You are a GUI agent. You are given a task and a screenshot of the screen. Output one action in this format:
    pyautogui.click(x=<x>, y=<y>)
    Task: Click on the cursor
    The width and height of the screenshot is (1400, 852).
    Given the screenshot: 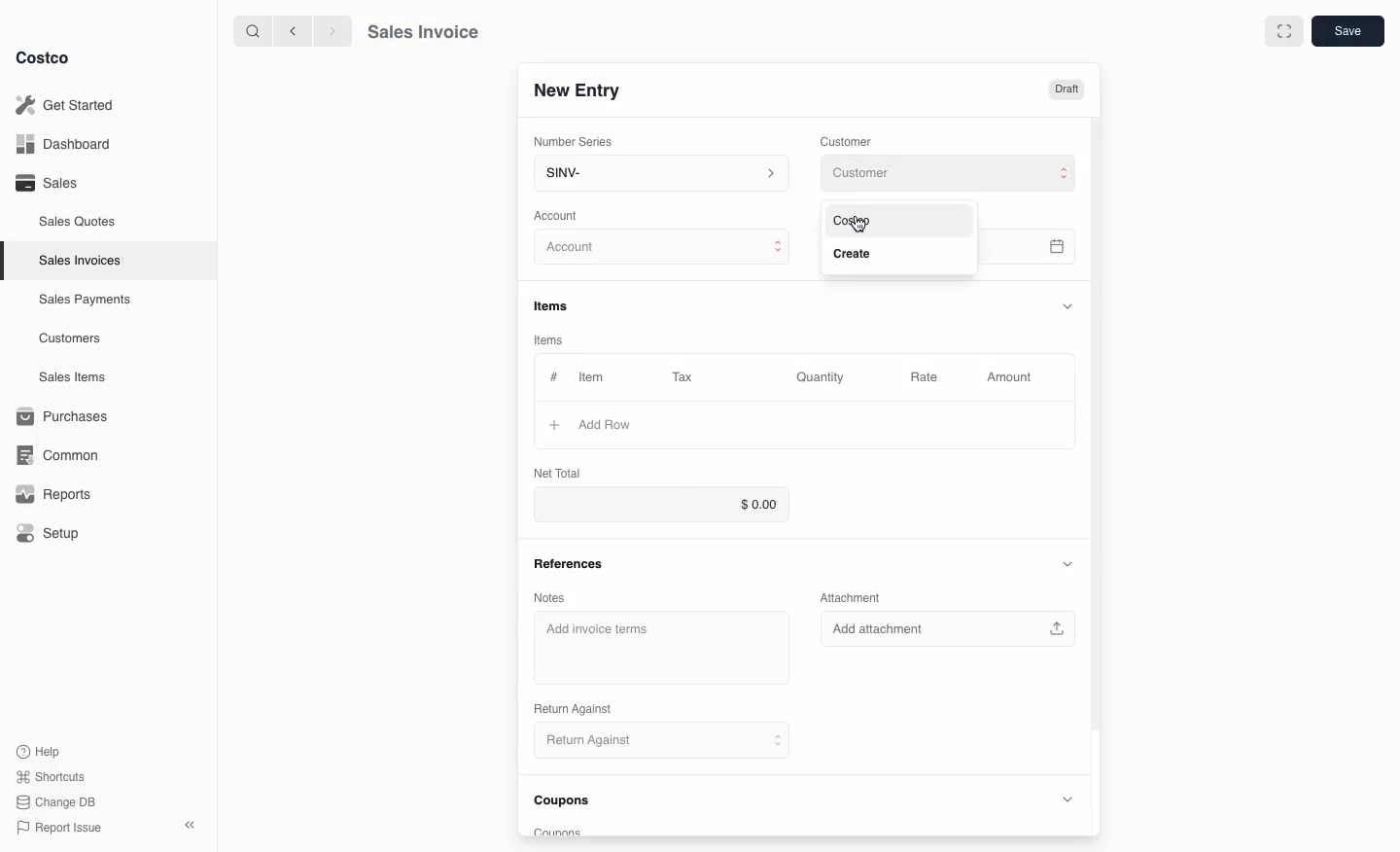 What is the action you would take?
    pyautogui.click(x=862, y=224)
    